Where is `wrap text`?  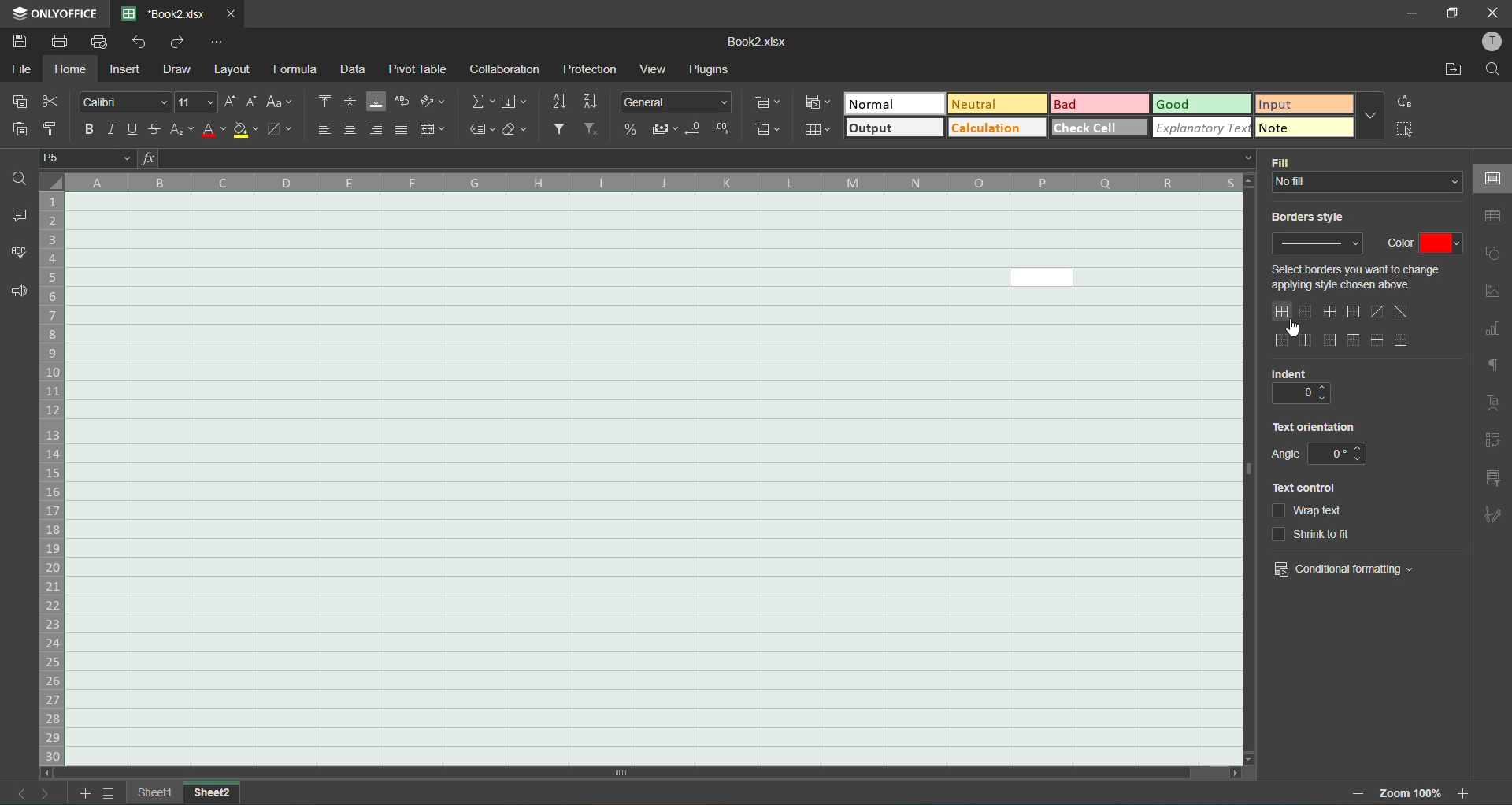
wrap text is located at coordinates (406, 102).